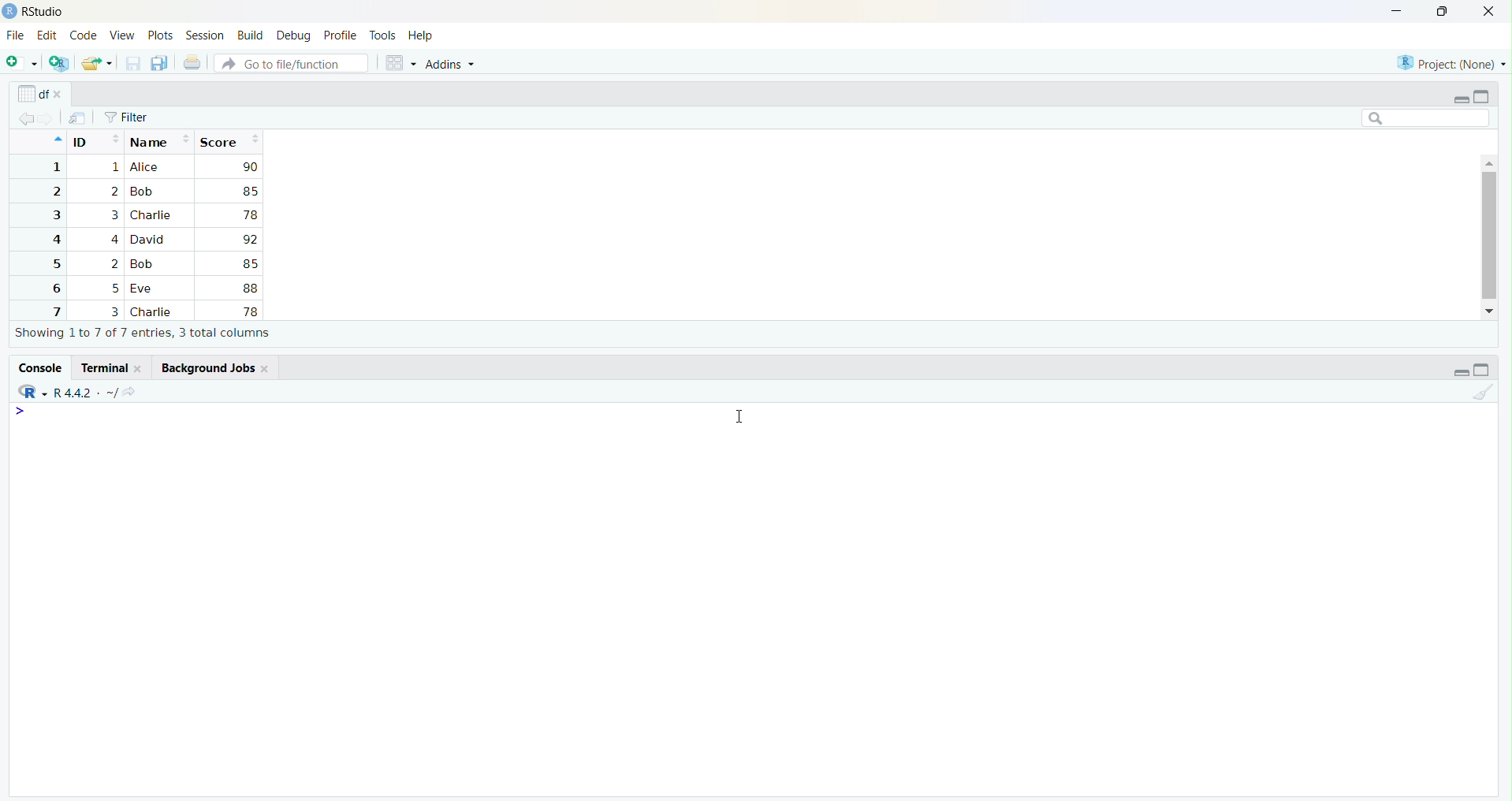 Image resolution: width=1512 pixels, height=801 pixels. Describe the element at coordinates (141, 368) in the screenshot. I see `close` at that location.